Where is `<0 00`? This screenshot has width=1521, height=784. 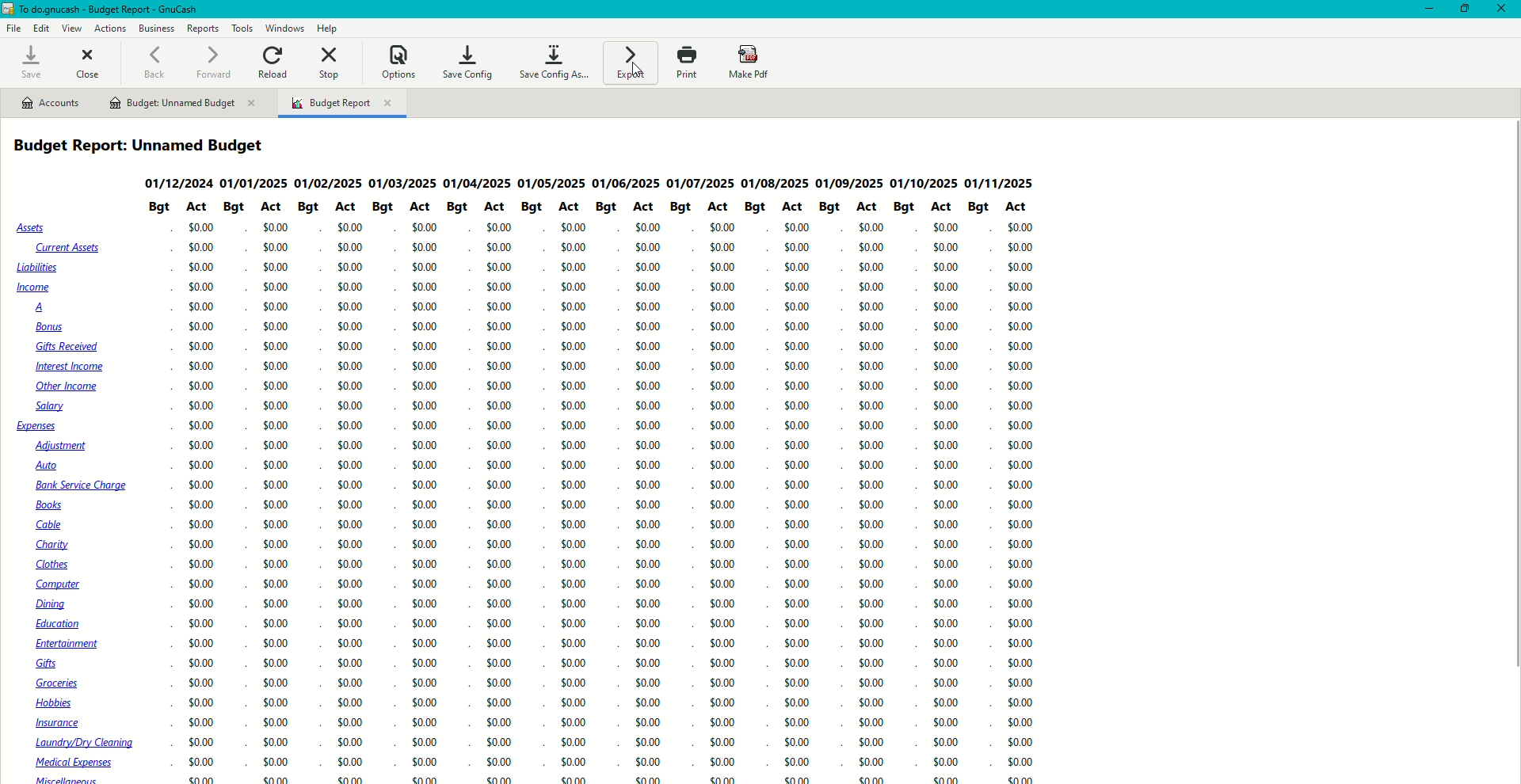
<0 00 is located at coordinates (648, 344).